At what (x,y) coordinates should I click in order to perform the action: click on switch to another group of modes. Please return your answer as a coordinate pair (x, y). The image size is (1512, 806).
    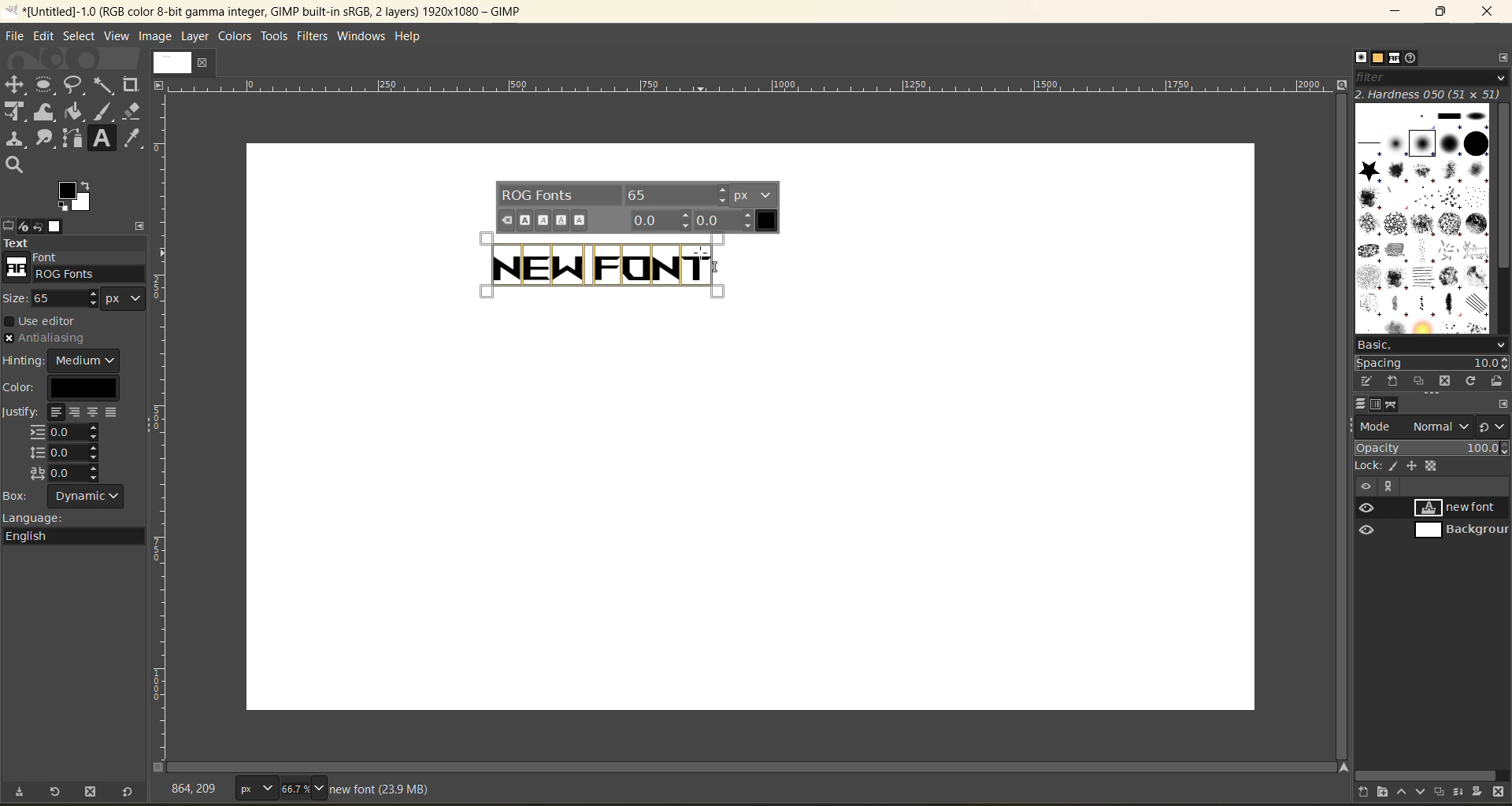
    Looking at the image, I should click on (1495, 427).